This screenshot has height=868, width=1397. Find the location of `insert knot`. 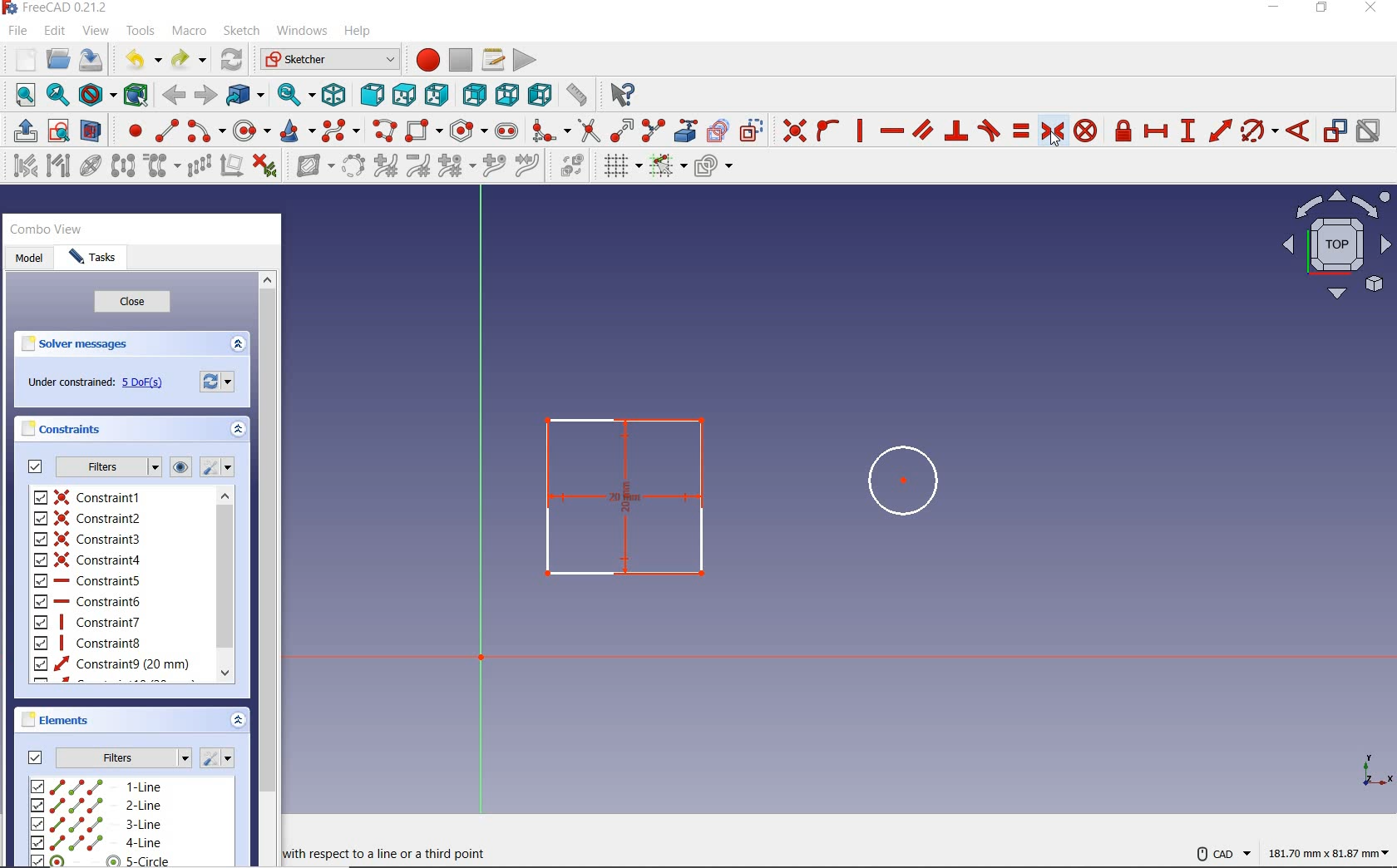

insert knot is located at coordinates (493, 167).